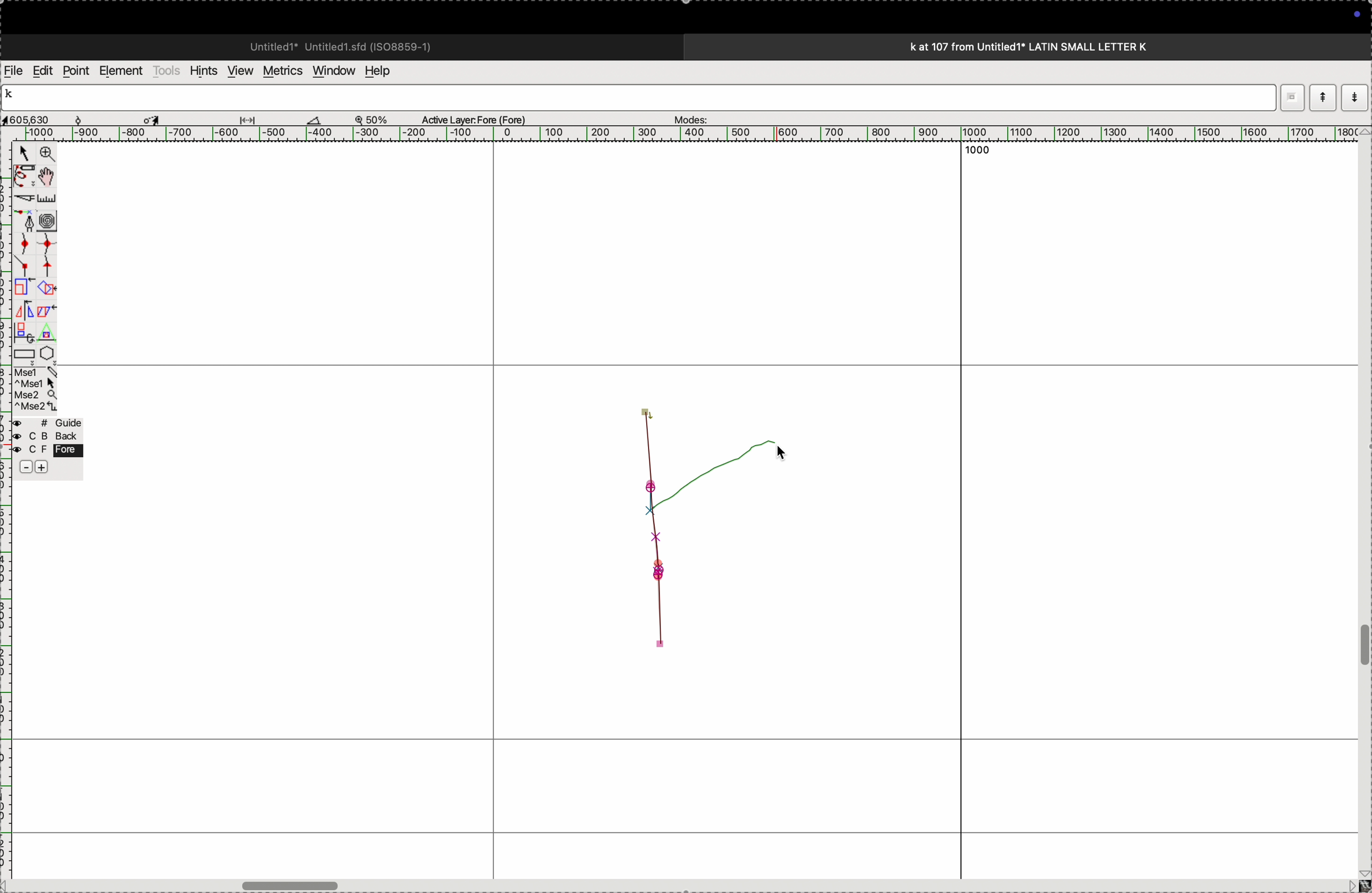  I want to click on edit, so click(42, 70).